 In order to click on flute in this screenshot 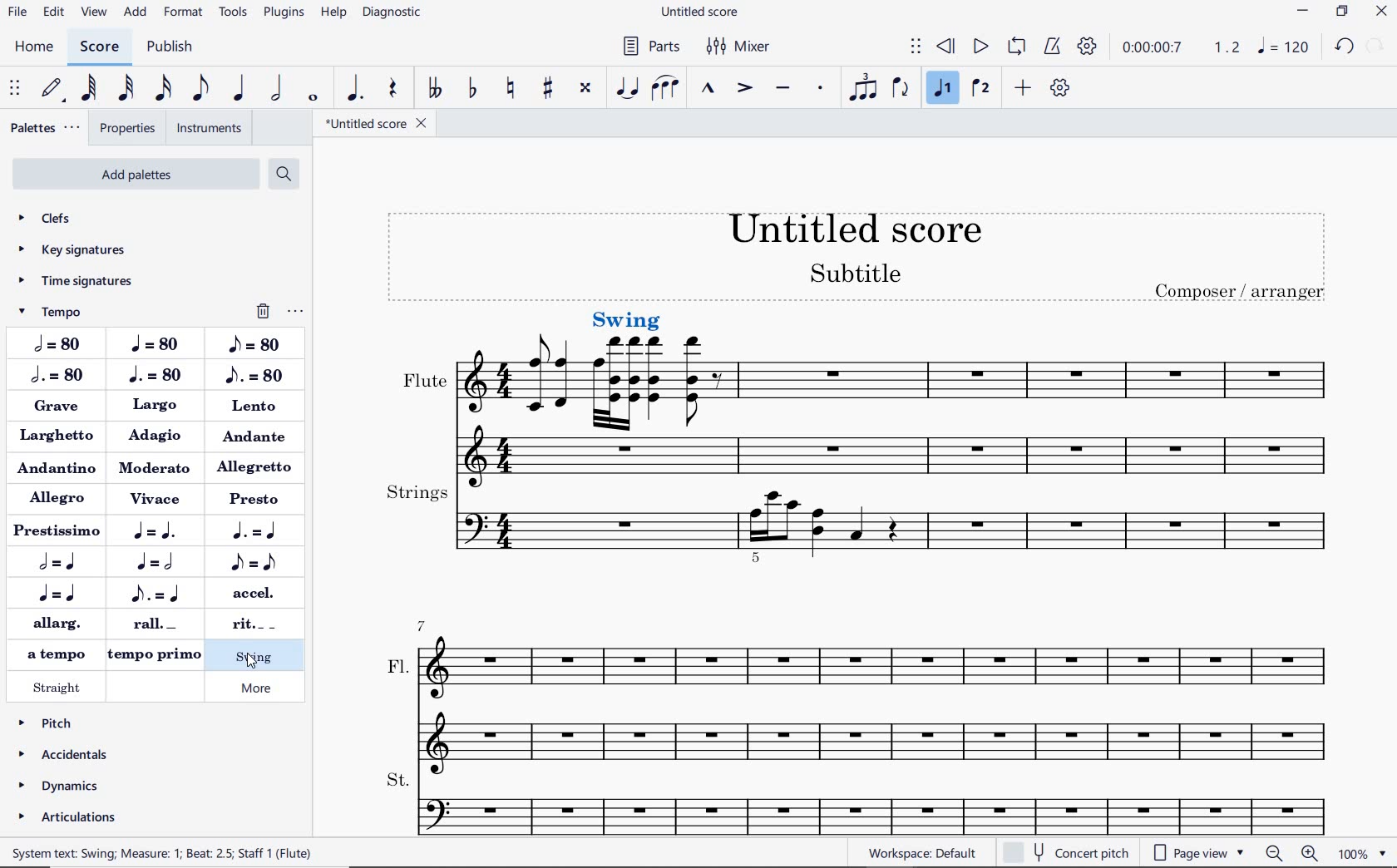, I will do `click(991, 399)`.